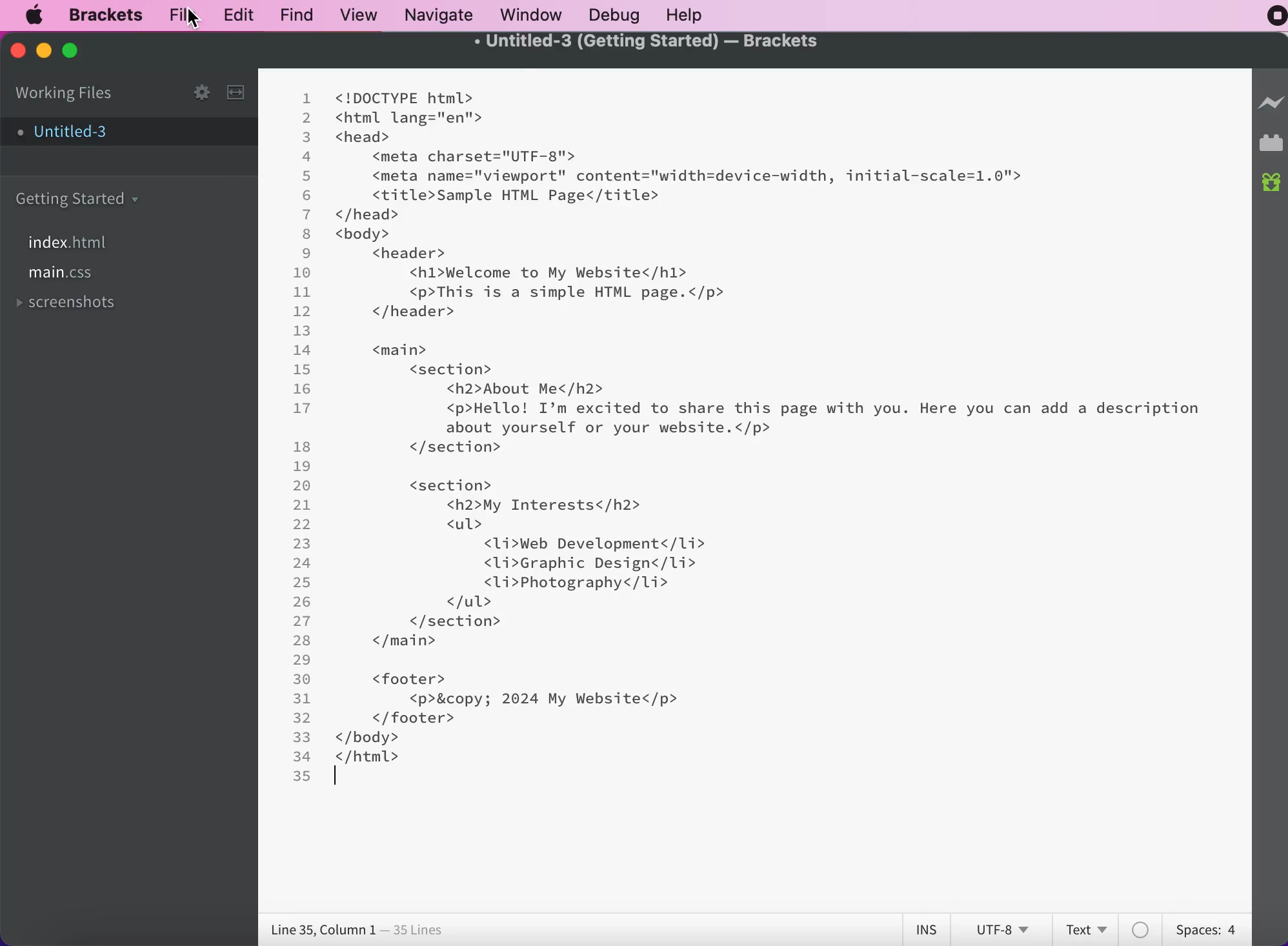 Image resolution: width=1288 pixels, height=946 pixels. Describe the element at coordinates (106, 14) in the screenshot. I see `brackets` at that location.